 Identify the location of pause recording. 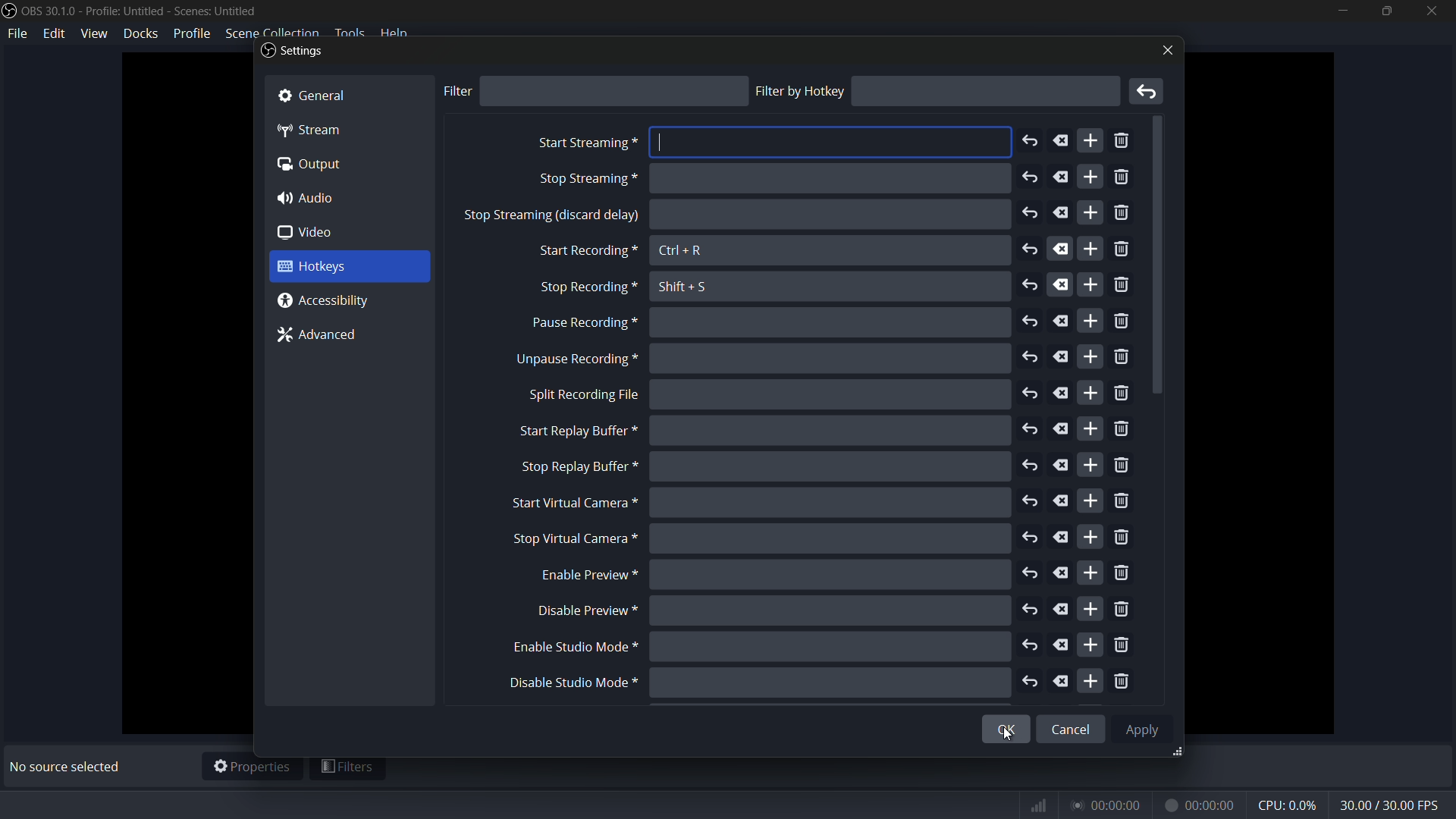
(581, 324).